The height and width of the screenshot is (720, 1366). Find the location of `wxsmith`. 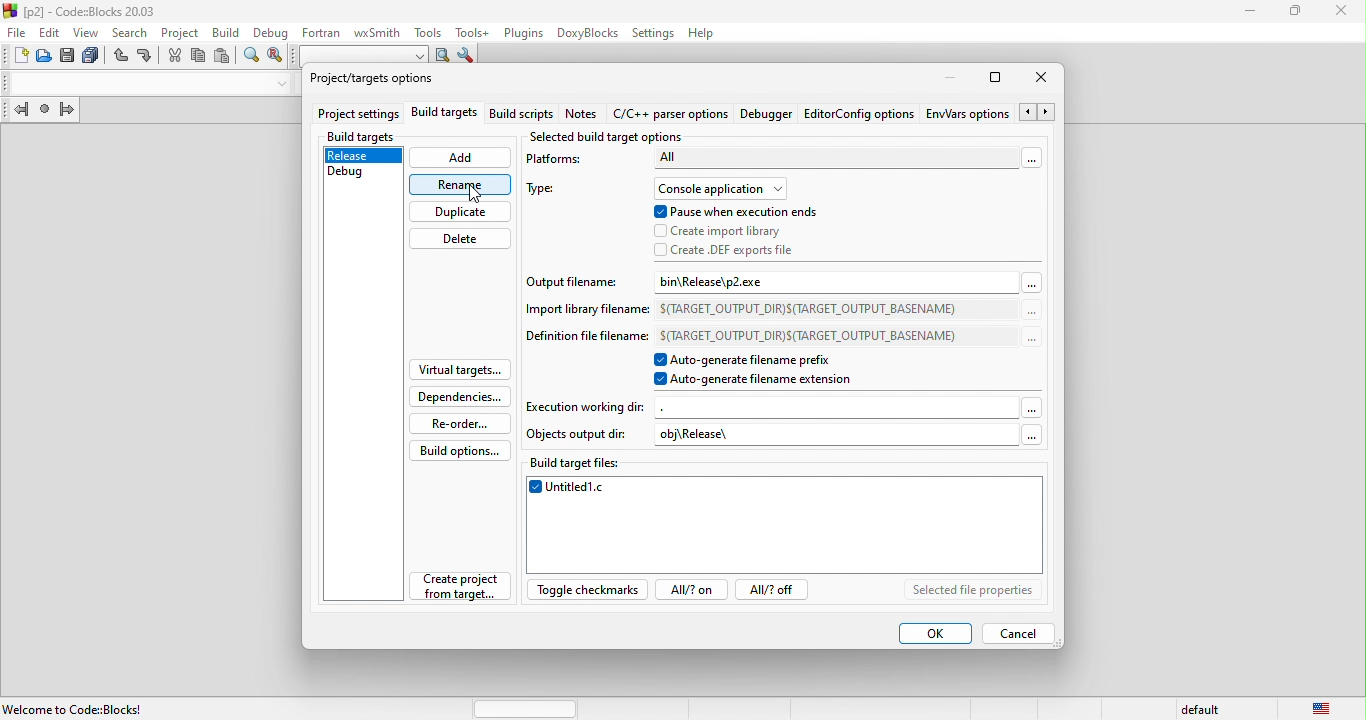

wxsmith is located at coordinates (375, 31).